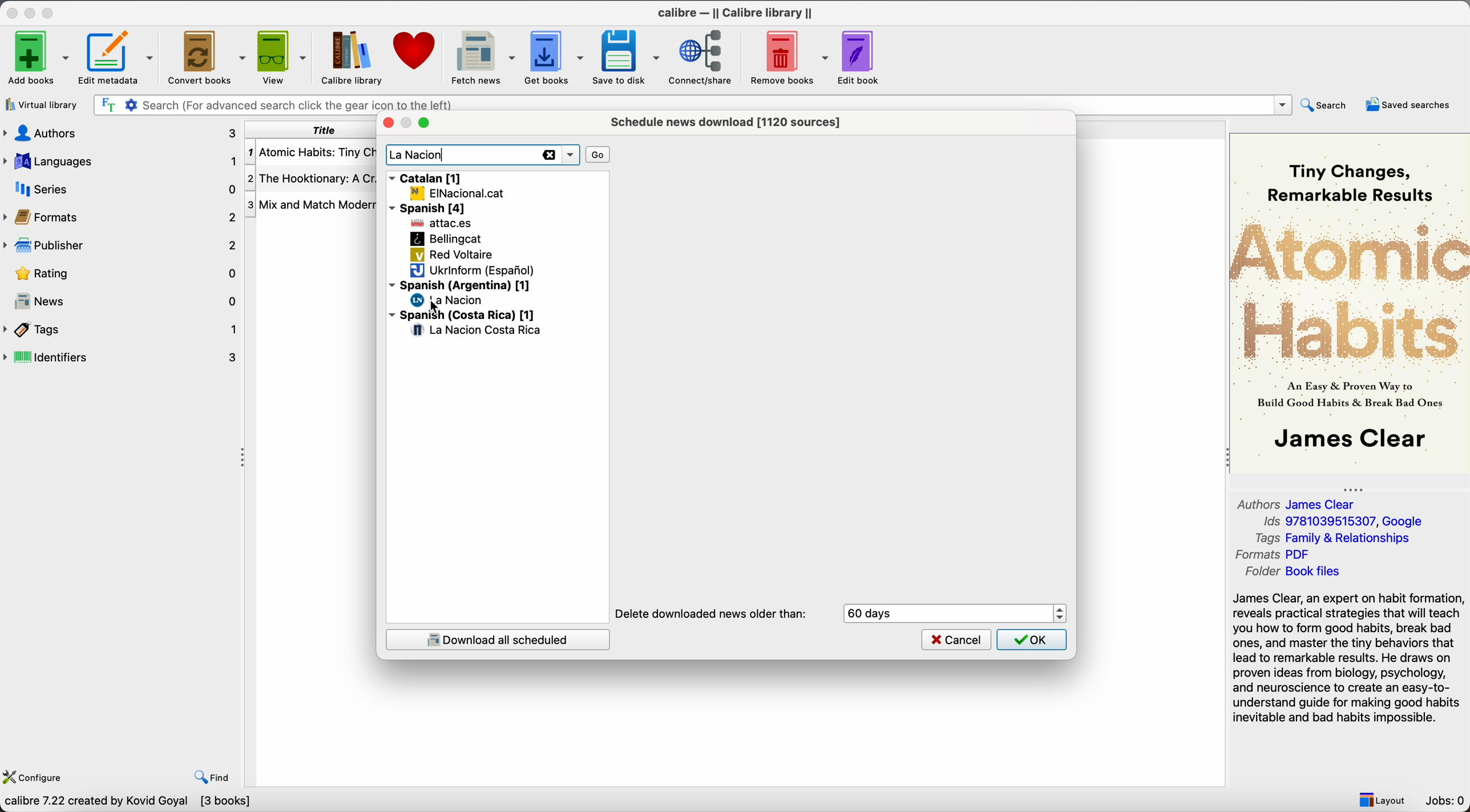 The image size is (1470, 812). What do you see at coordinates (1338, 538) in the screenshot?
I see `Tags Family & Relationships` at bounding box center [1338, 538].